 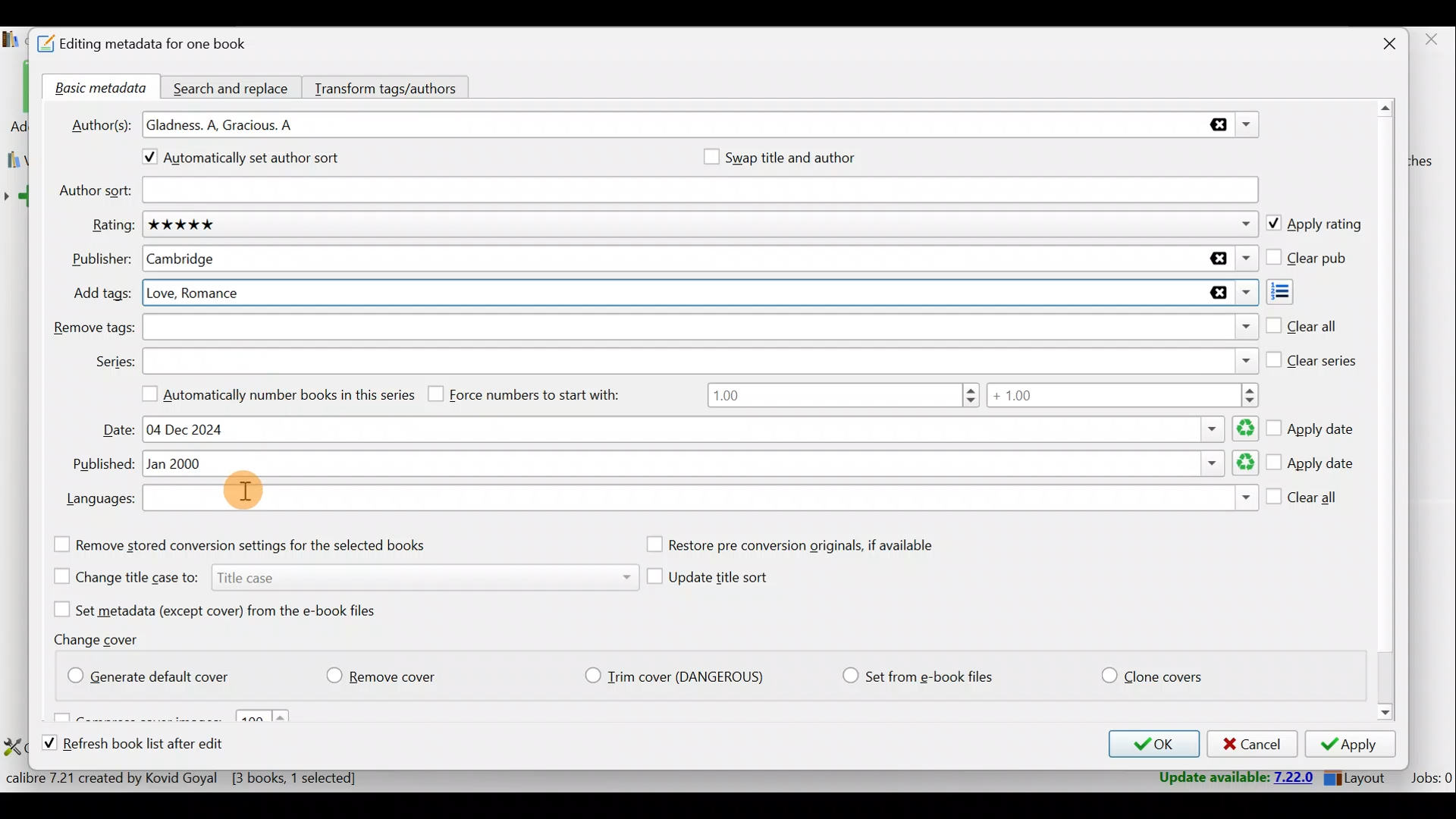 I want to click on Rating, so click(x=703, y=227).